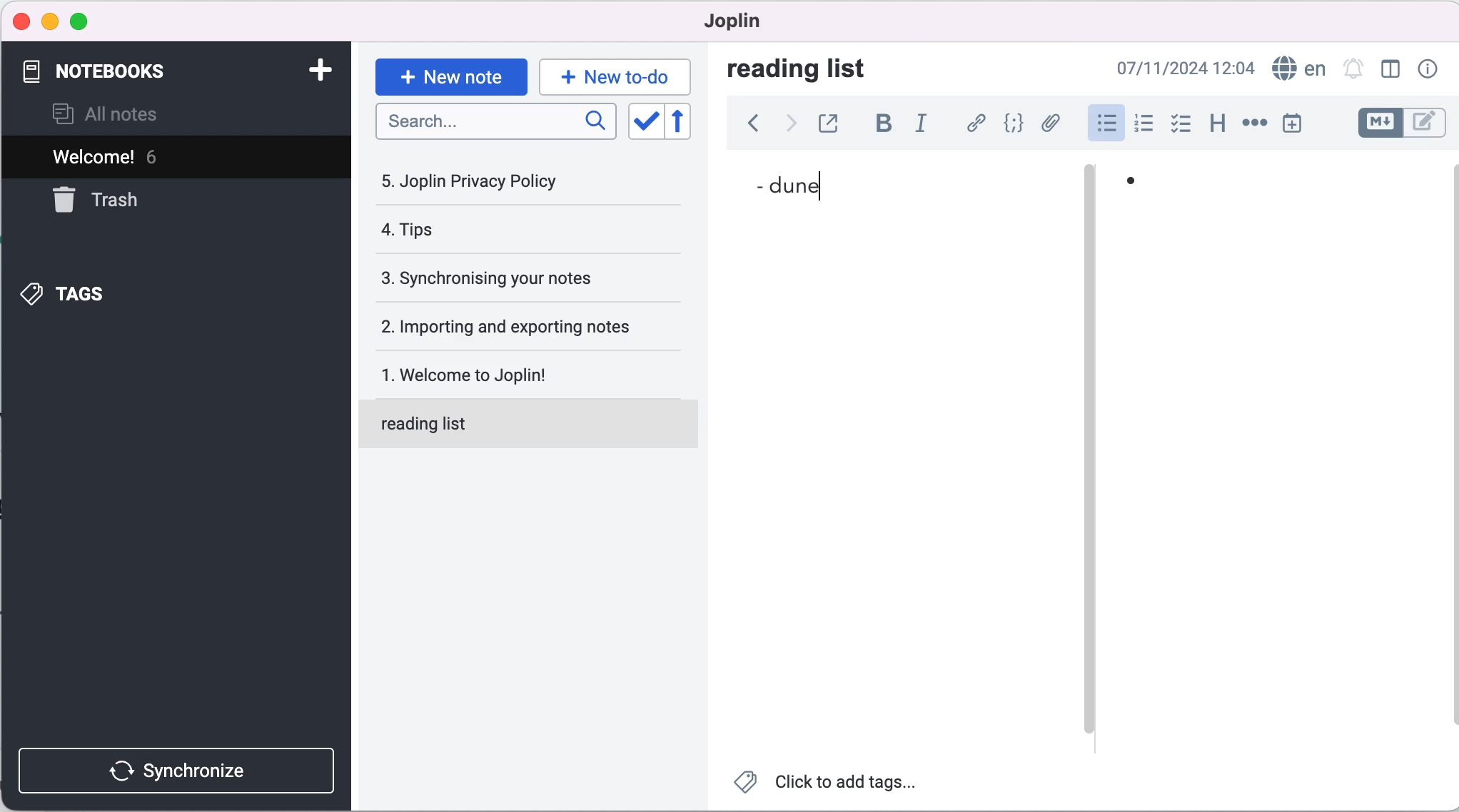 This screenshot has width=1459, height=812. What do you see at coordinates (50, 21) in the screenshot?
I see `minimize` at bounding box center [50, 21].